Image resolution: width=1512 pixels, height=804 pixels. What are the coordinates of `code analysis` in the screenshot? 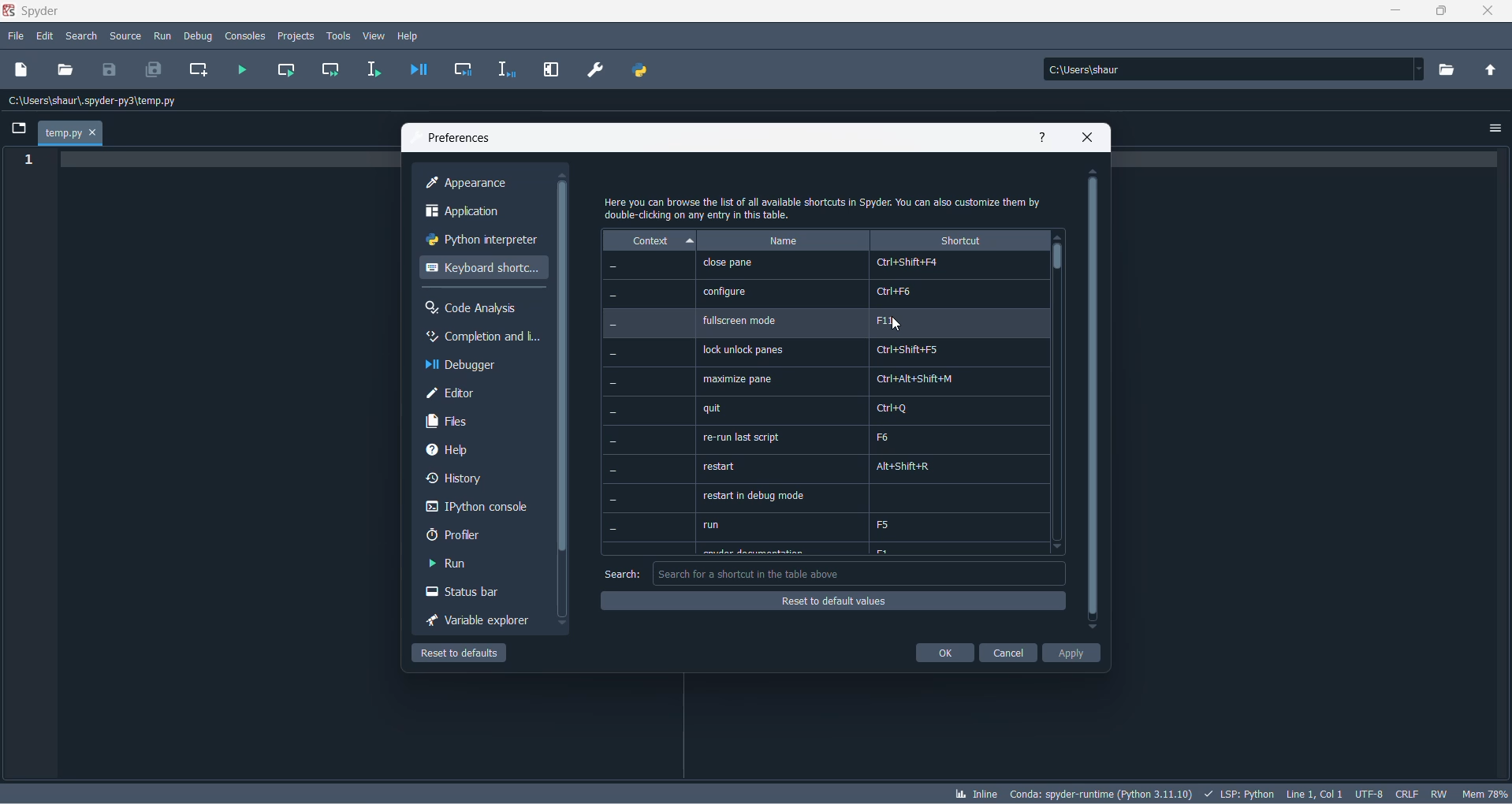 It's located at (479, 308).